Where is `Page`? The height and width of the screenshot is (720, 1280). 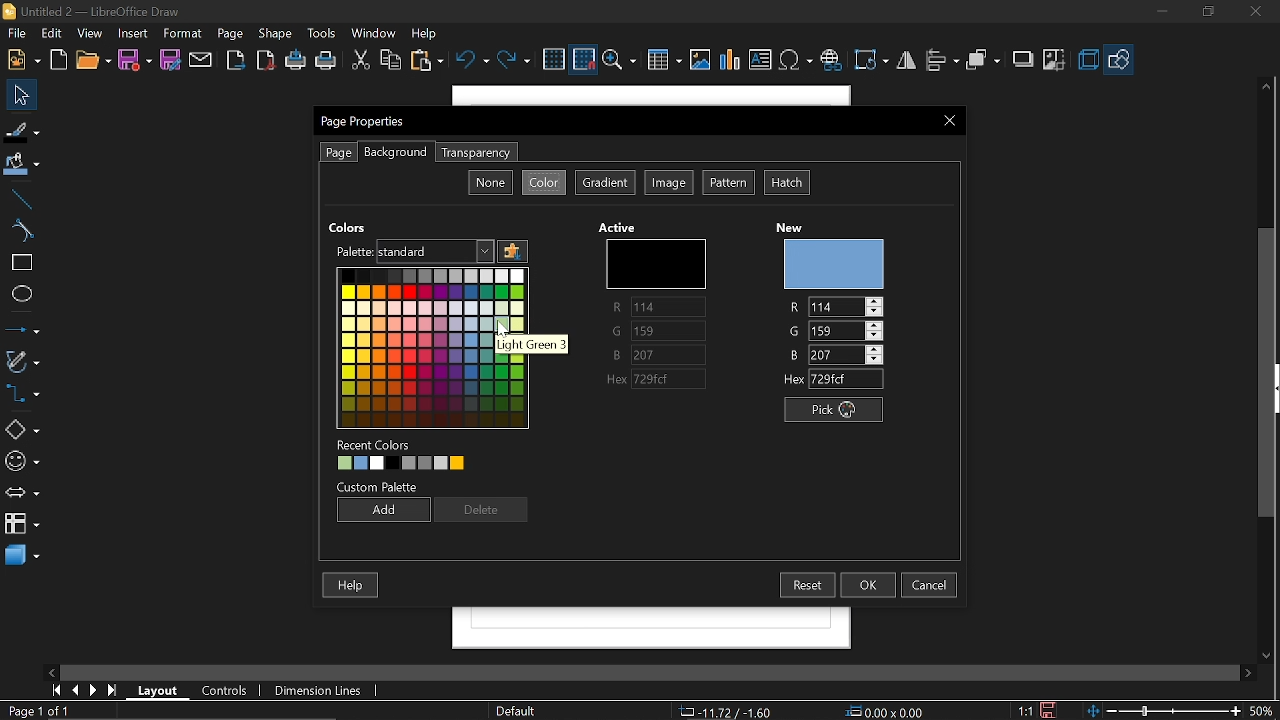
Page is located at coordinates (230, 35).